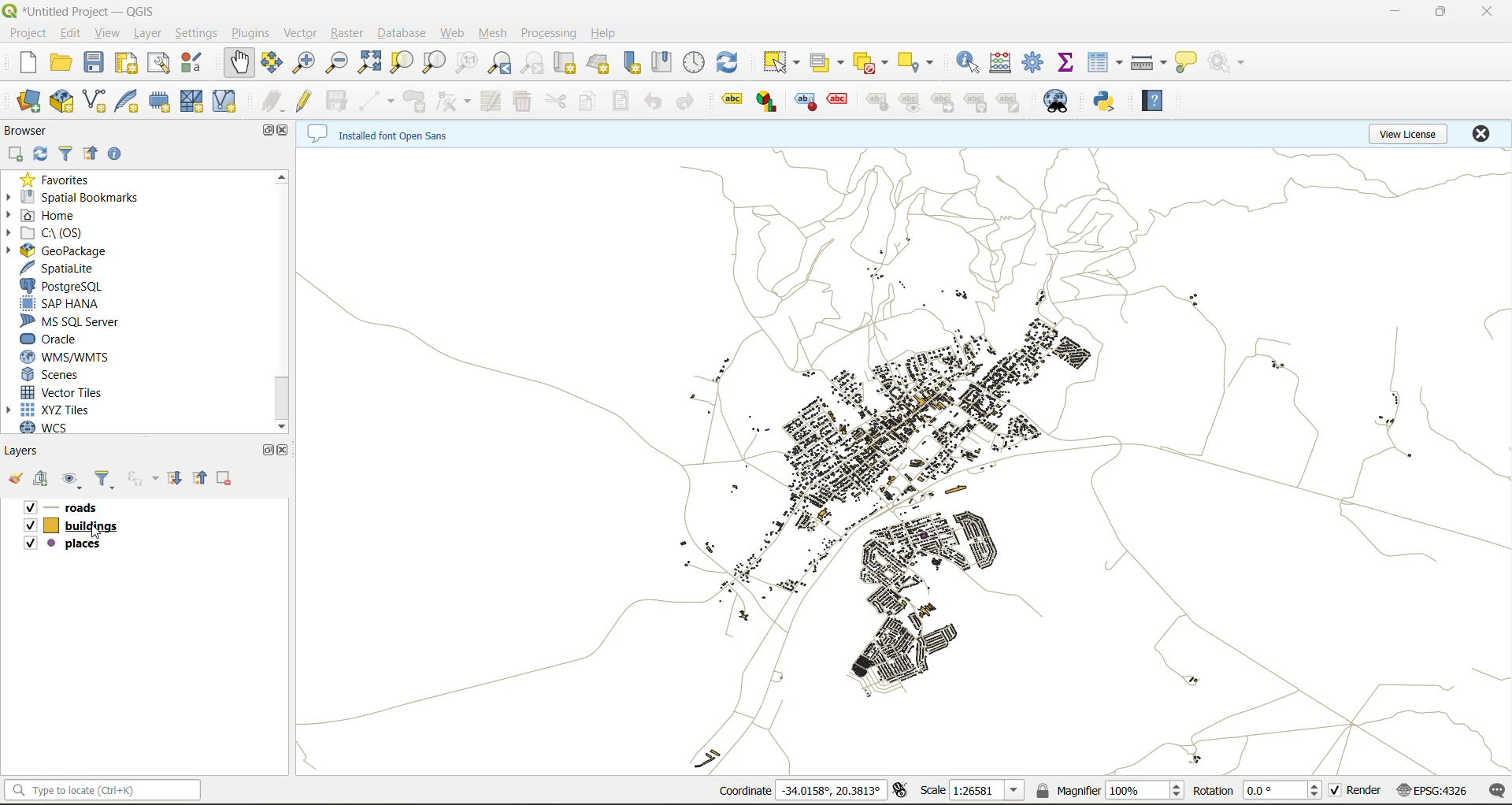 The image size is (1512, 805). Describe the element at coordinates (921, 64) in the screenshot. I see `select location` at that location.